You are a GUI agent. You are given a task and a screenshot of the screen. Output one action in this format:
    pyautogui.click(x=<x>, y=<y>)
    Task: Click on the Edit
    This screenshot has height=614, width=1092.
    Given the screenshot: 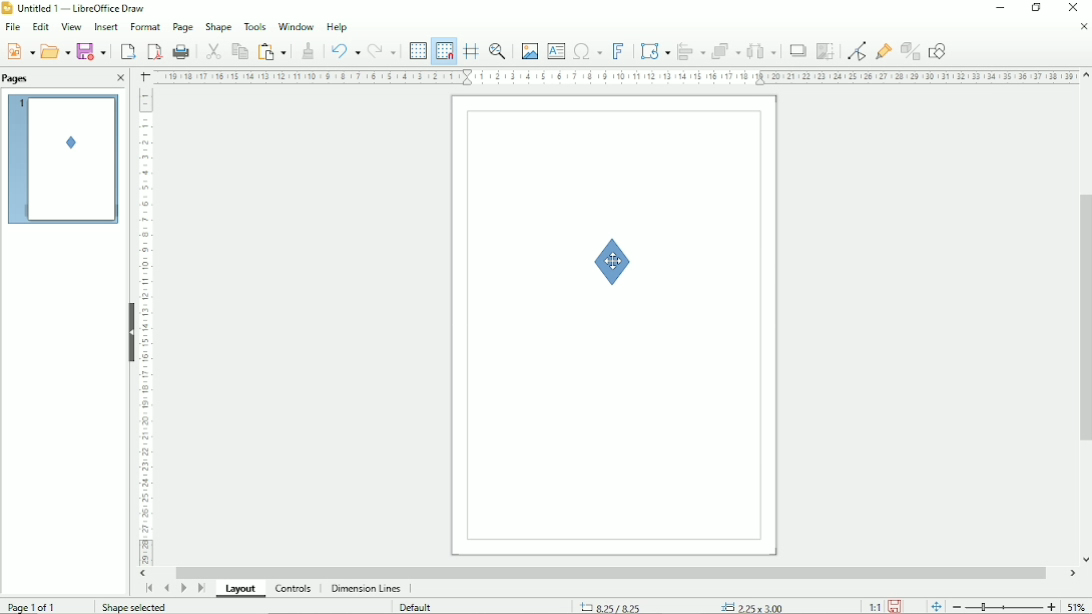 What is the action you would take?
    pyautogui.click(x=40, y=27)
    